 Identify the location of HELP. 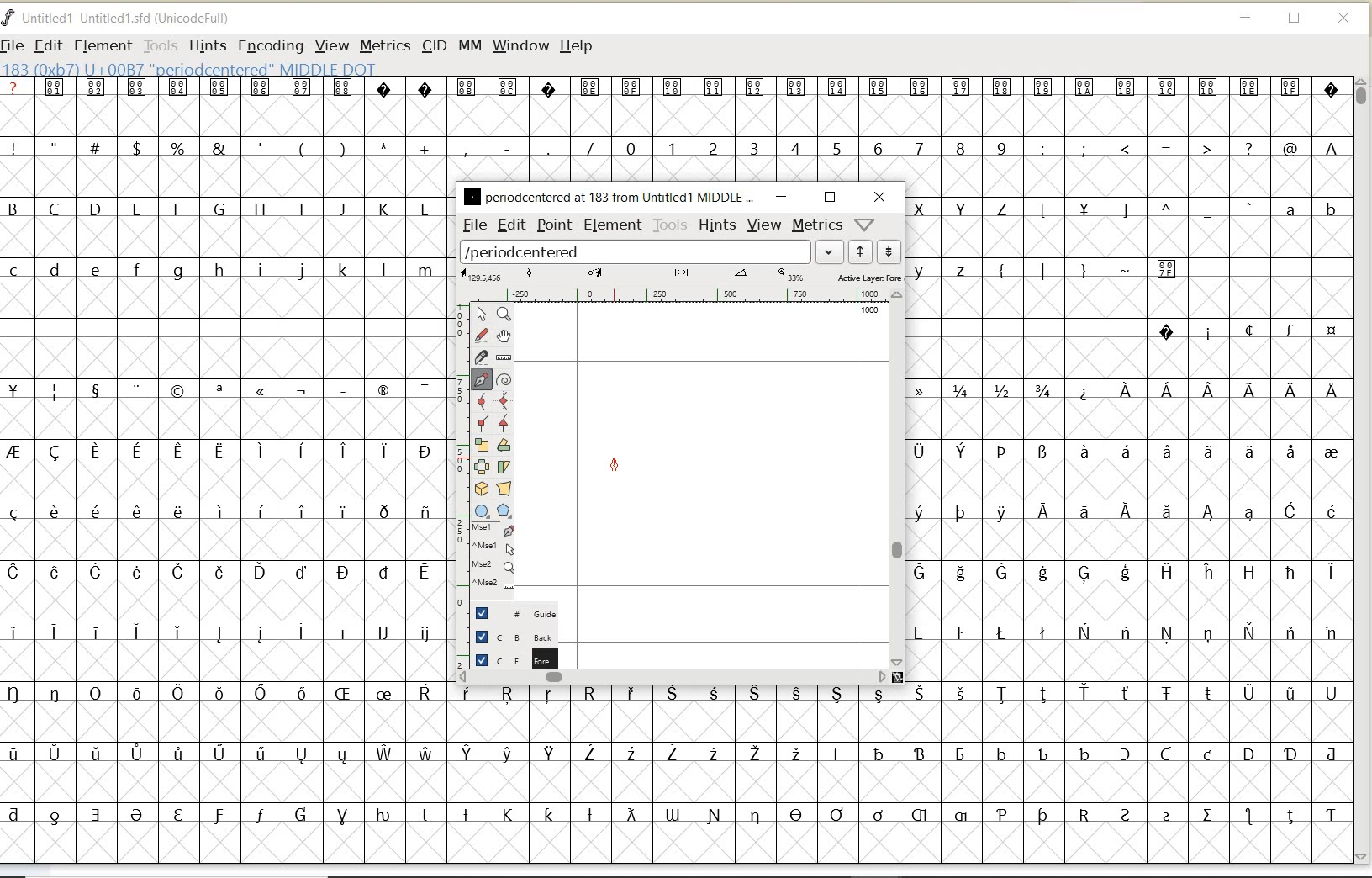
(576, 45).